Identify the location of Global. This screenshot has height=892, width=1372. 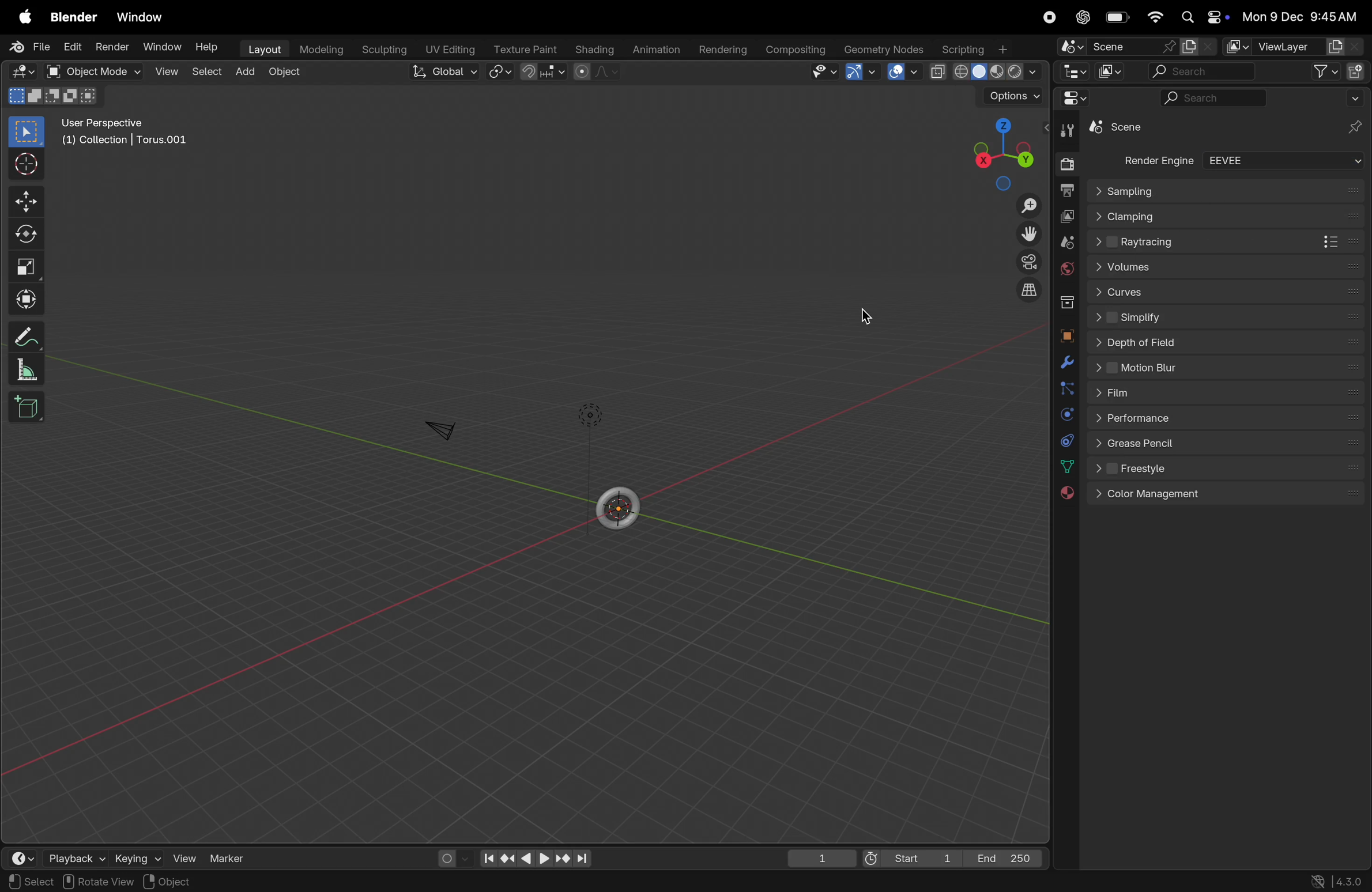
(442, 73).